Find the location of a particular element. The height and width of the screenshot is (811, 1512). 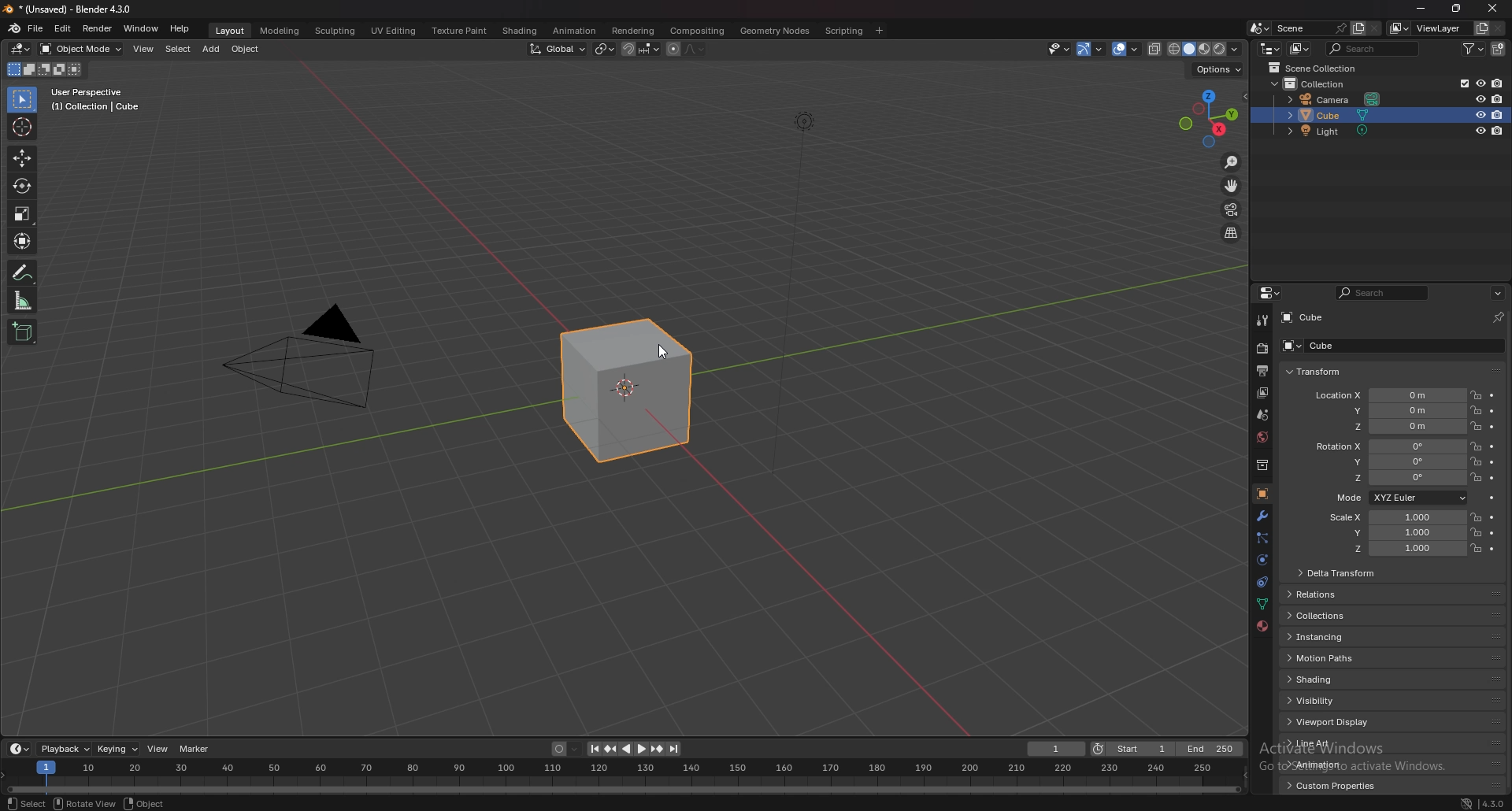

jump to endpoint is located at coordinates (592, 749).